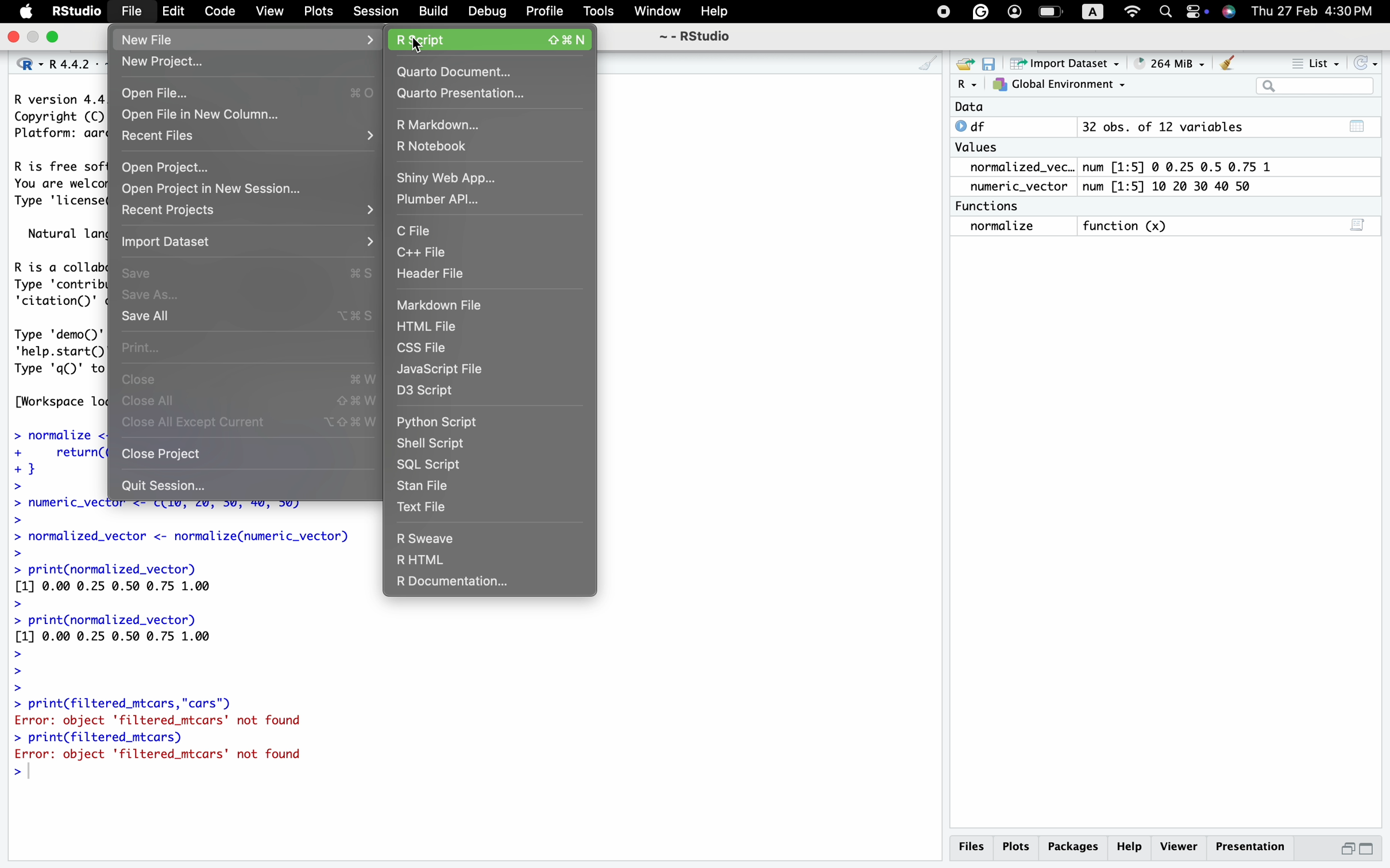  What do you see at coordinates (991, 207) in the screenshot?
I see `functions` at bounding box center [991, 207].